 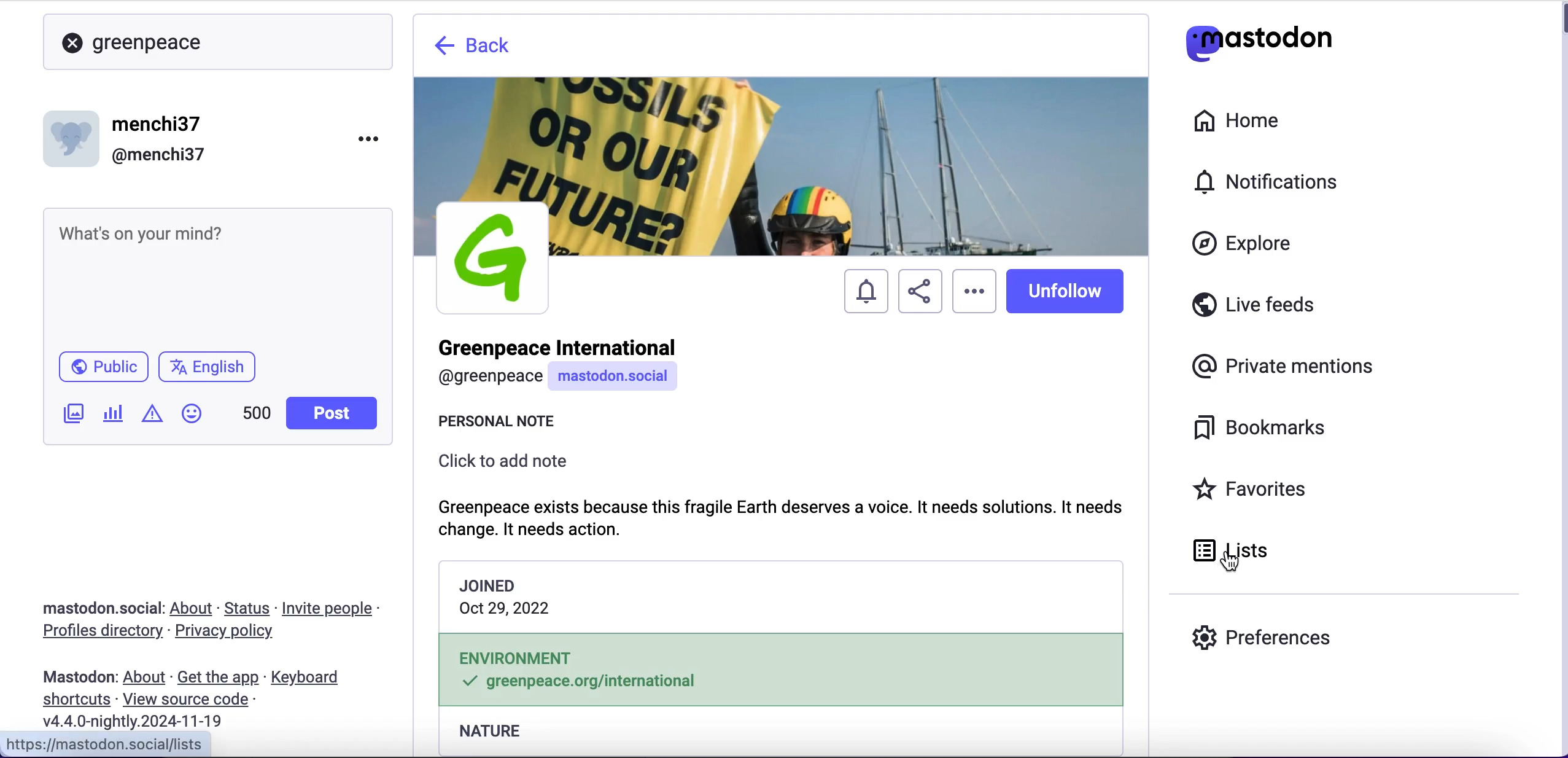 I want to click on user name, so click(x=128, y=138).